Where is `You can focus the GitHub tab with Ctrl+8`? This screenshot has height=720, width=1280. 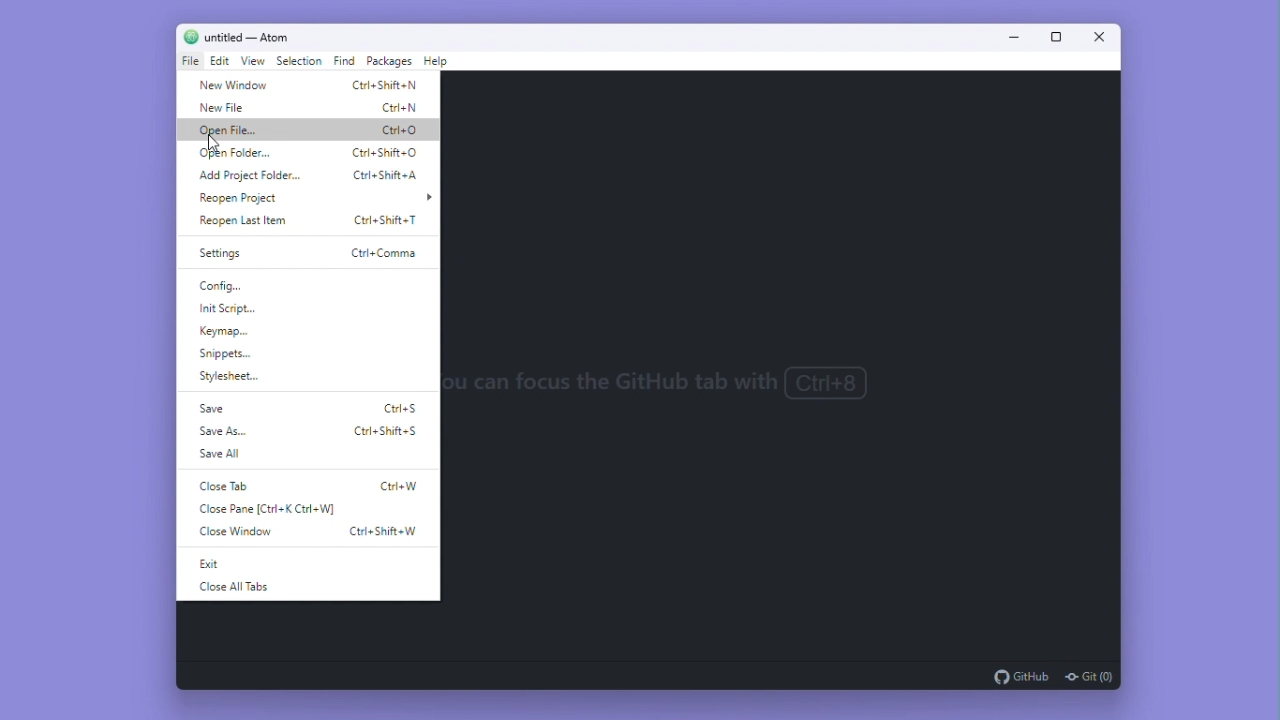 You can focus the GitHub tab with Ctrl+8 is located at coordinates (689, 382).